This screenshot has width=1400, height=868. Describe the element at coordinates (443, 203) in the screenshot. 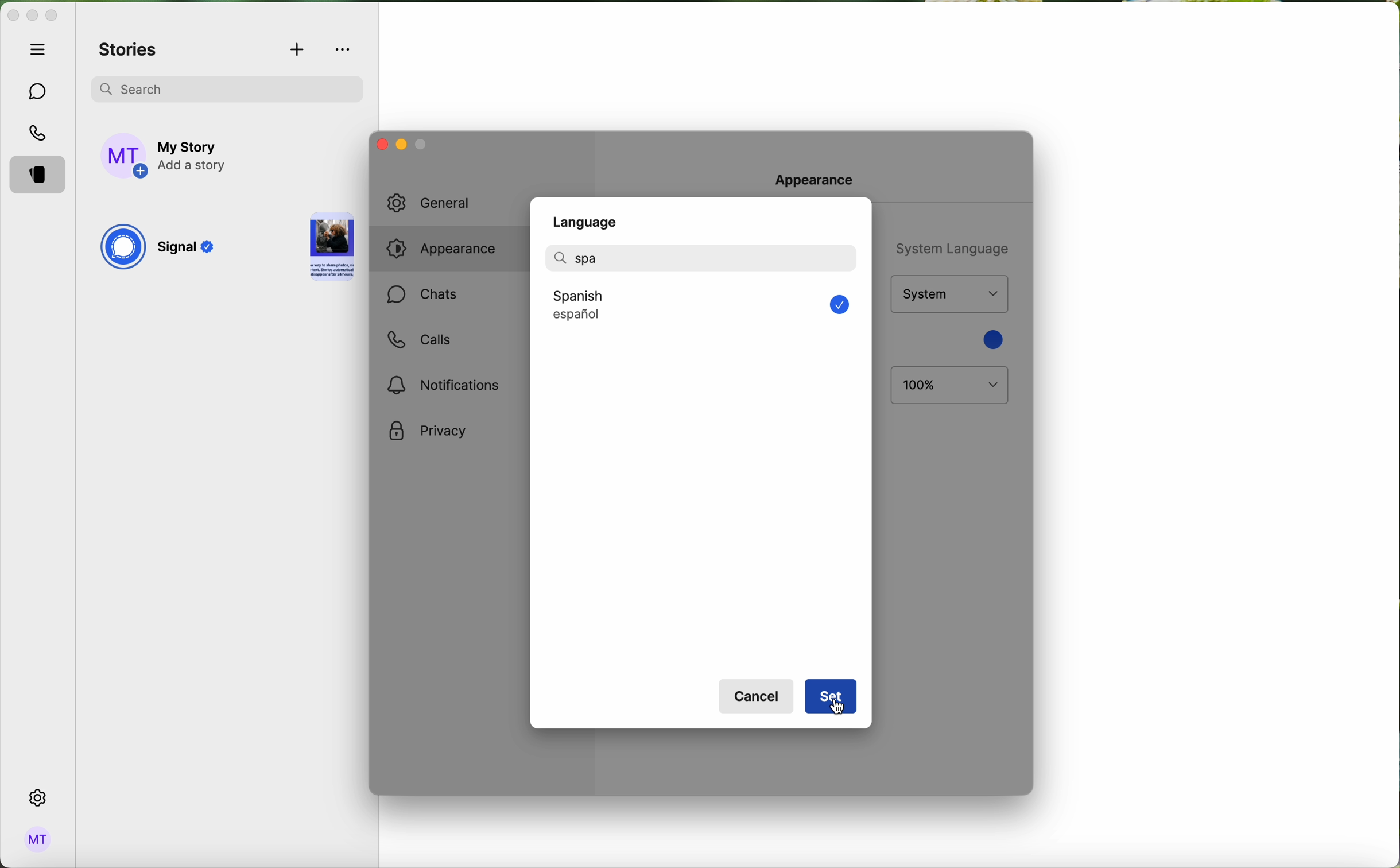

I see `general` at that location.